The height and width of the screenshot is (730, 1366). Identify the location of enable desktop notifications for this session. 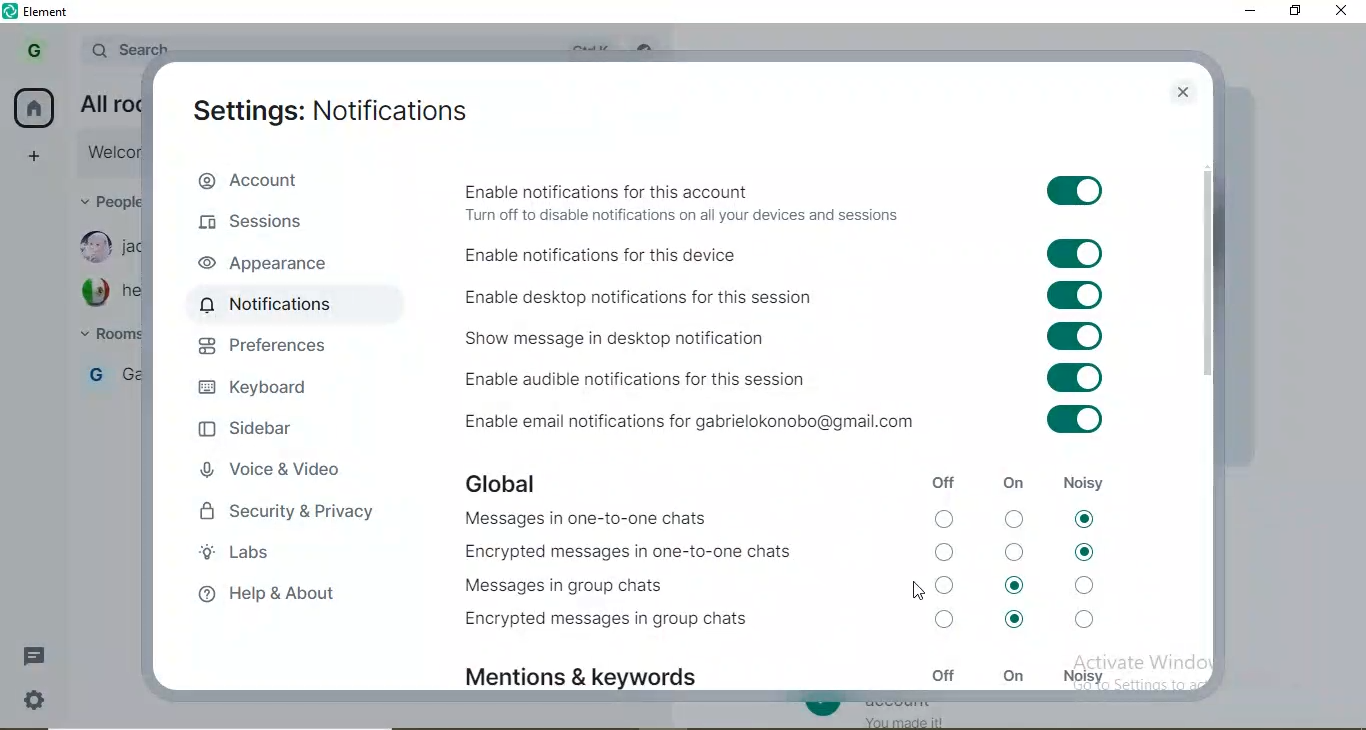
(728, 297).